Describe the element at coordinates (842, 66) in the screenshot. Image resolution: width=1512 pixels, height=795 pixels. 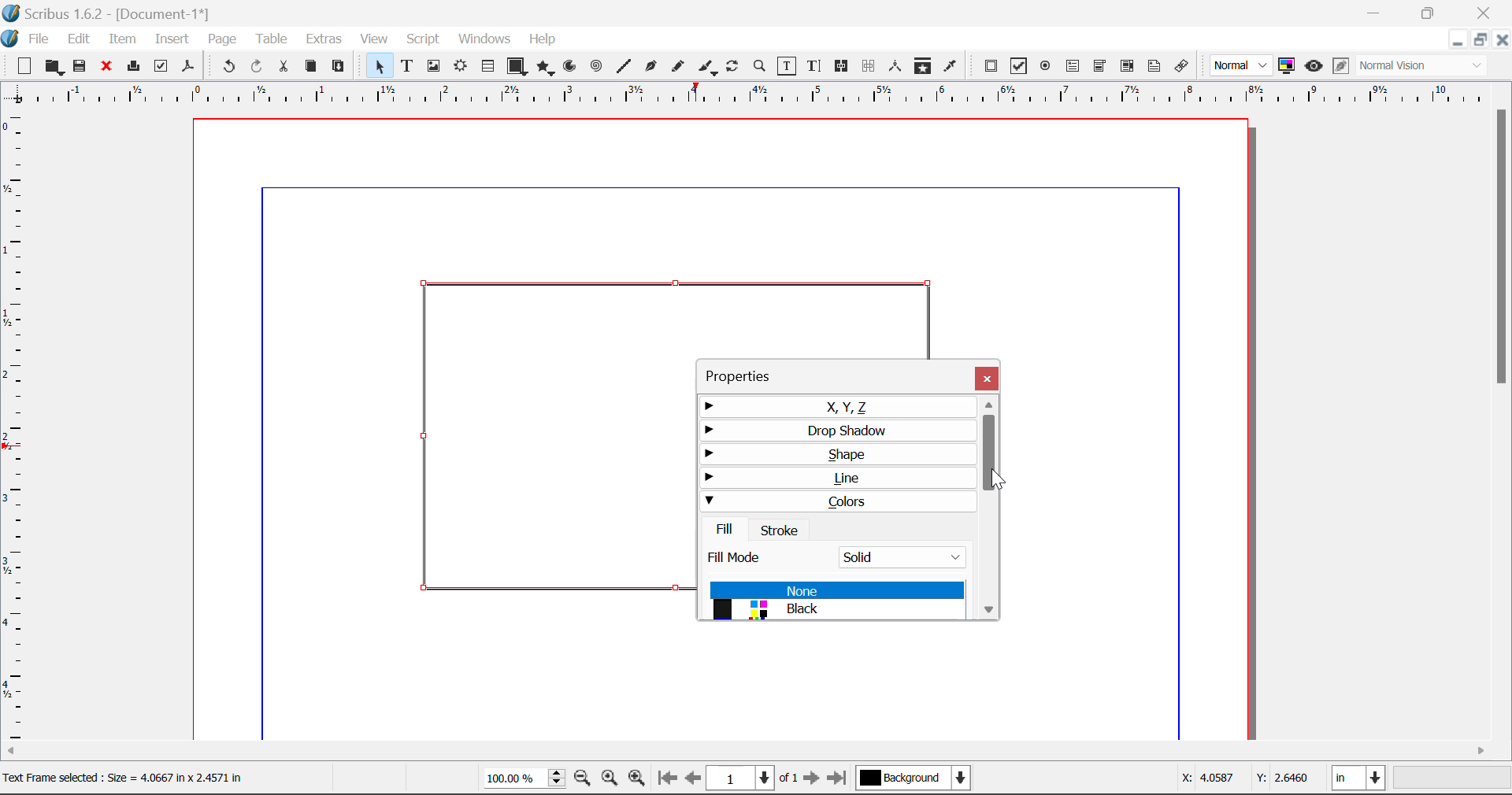
I see `Link Frames` at that location.